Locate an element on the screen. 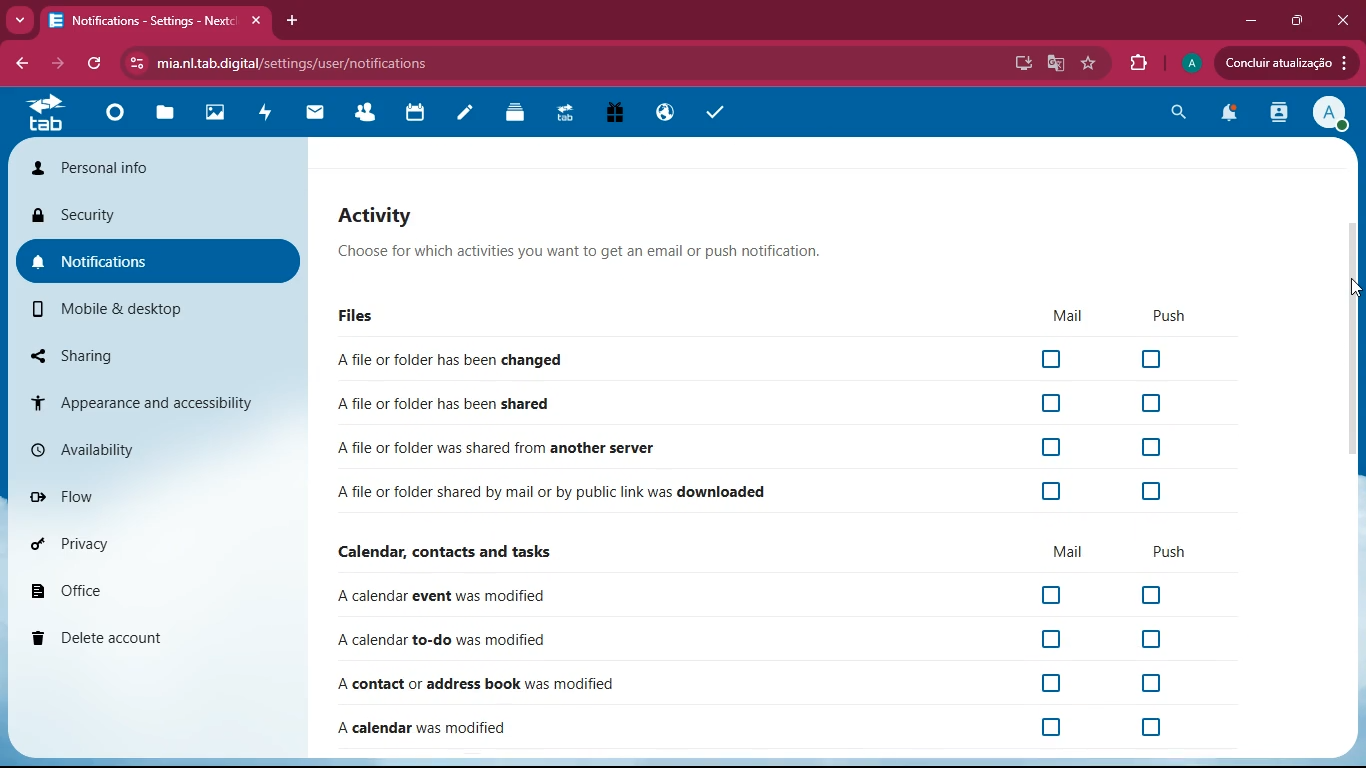 The width and height of the screenshot is (1366, 768). notifications is located at coordinates (160, 258).